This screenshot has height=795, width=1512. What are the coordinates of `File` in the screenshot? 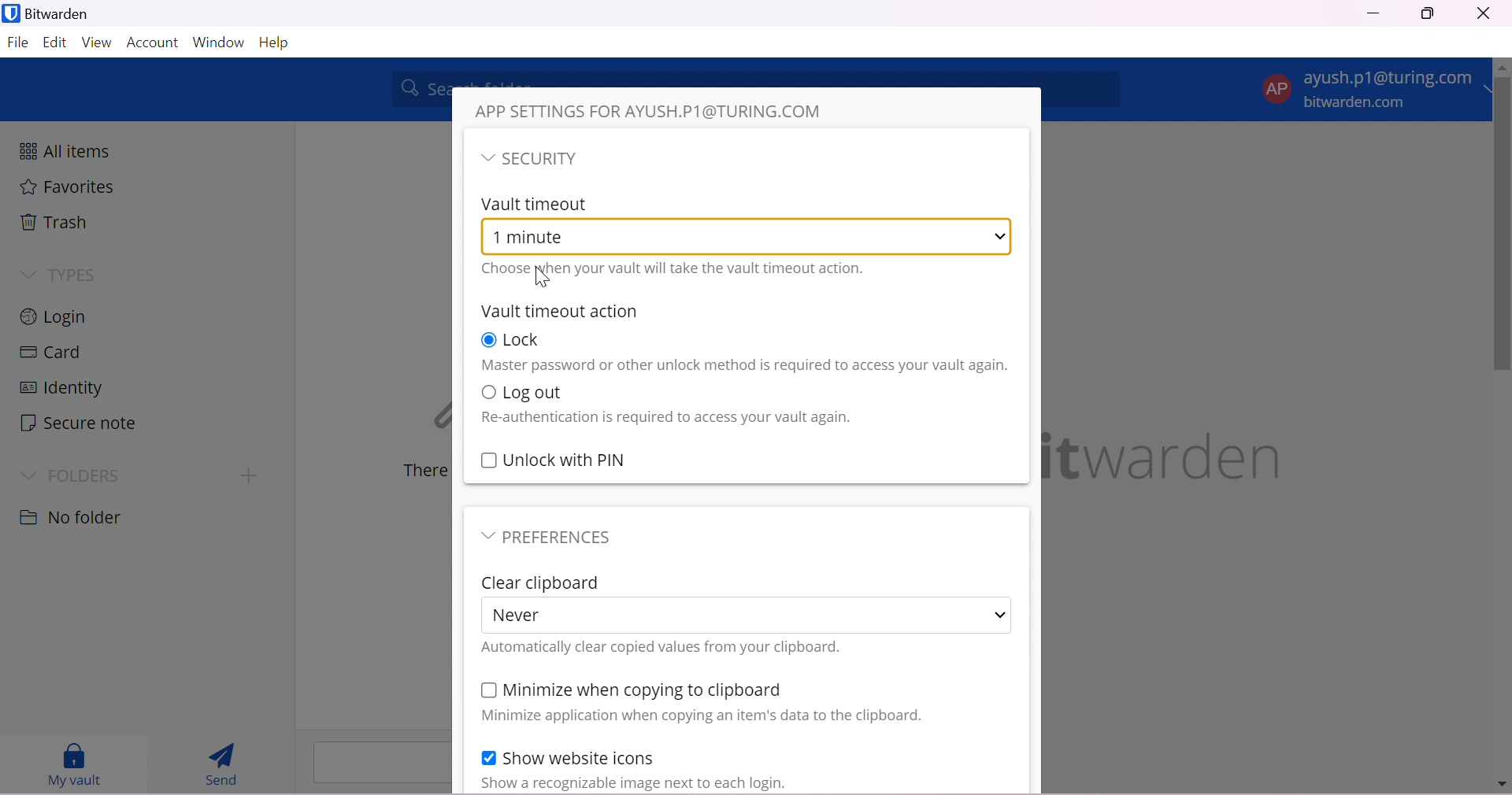 It's located at (17, 45).